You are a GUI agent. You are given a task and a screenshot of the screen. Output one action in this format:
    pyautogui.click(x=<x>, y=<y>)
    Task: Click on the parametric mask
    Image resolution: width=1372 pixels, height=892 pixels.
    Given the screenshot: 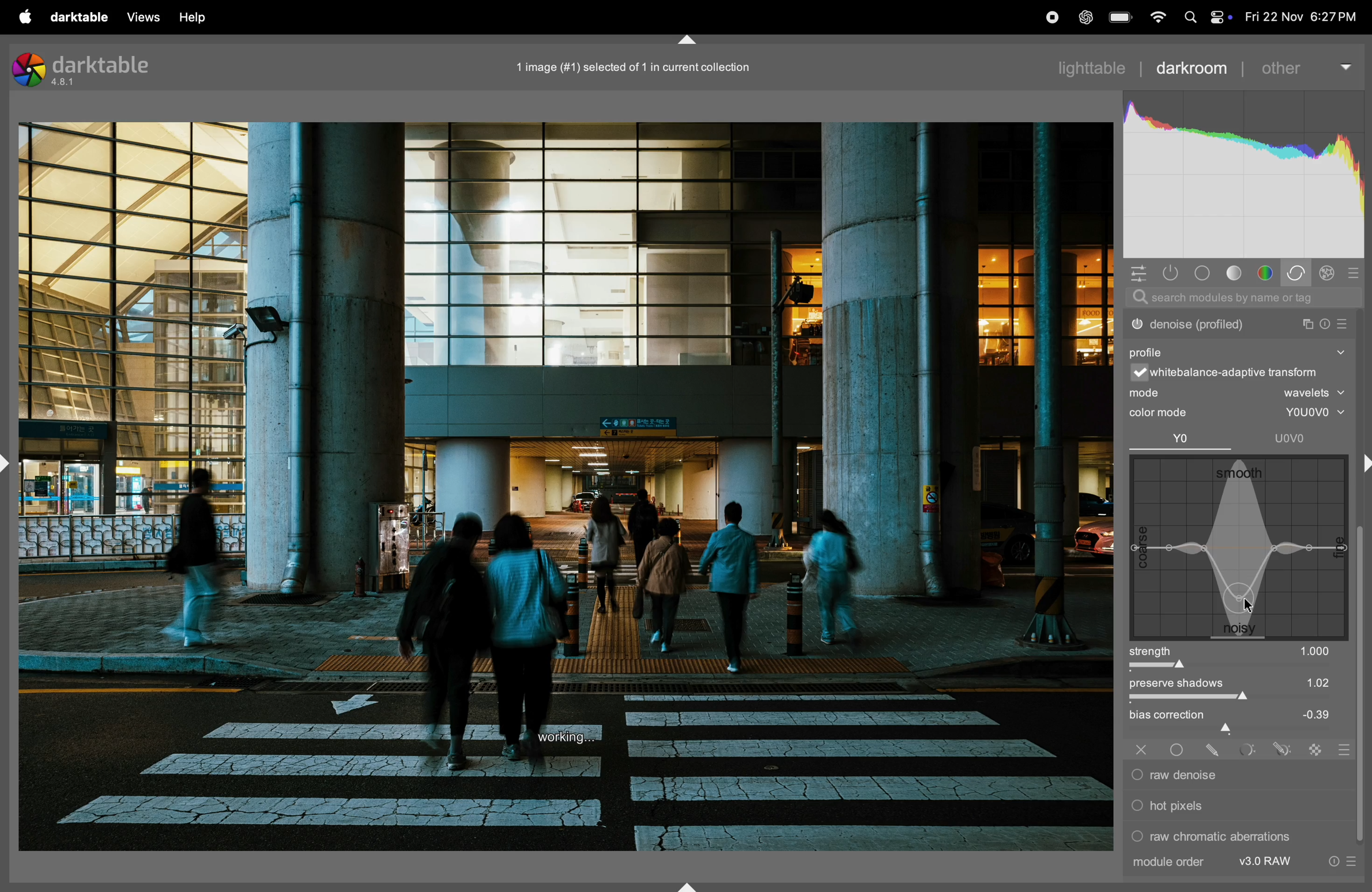 What is the action you would take?
    pyautogui.click(x=1249, y=750)
    